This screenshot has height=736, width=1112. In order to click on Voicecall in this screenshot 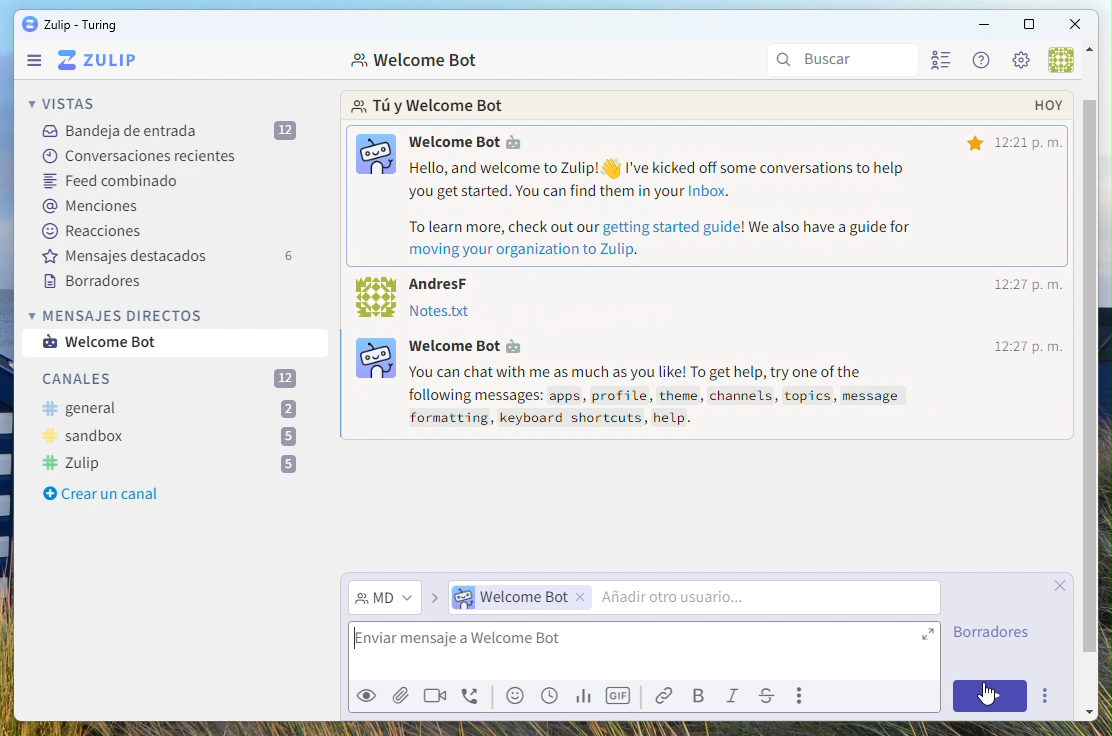, I will do `click(472, 698)`.